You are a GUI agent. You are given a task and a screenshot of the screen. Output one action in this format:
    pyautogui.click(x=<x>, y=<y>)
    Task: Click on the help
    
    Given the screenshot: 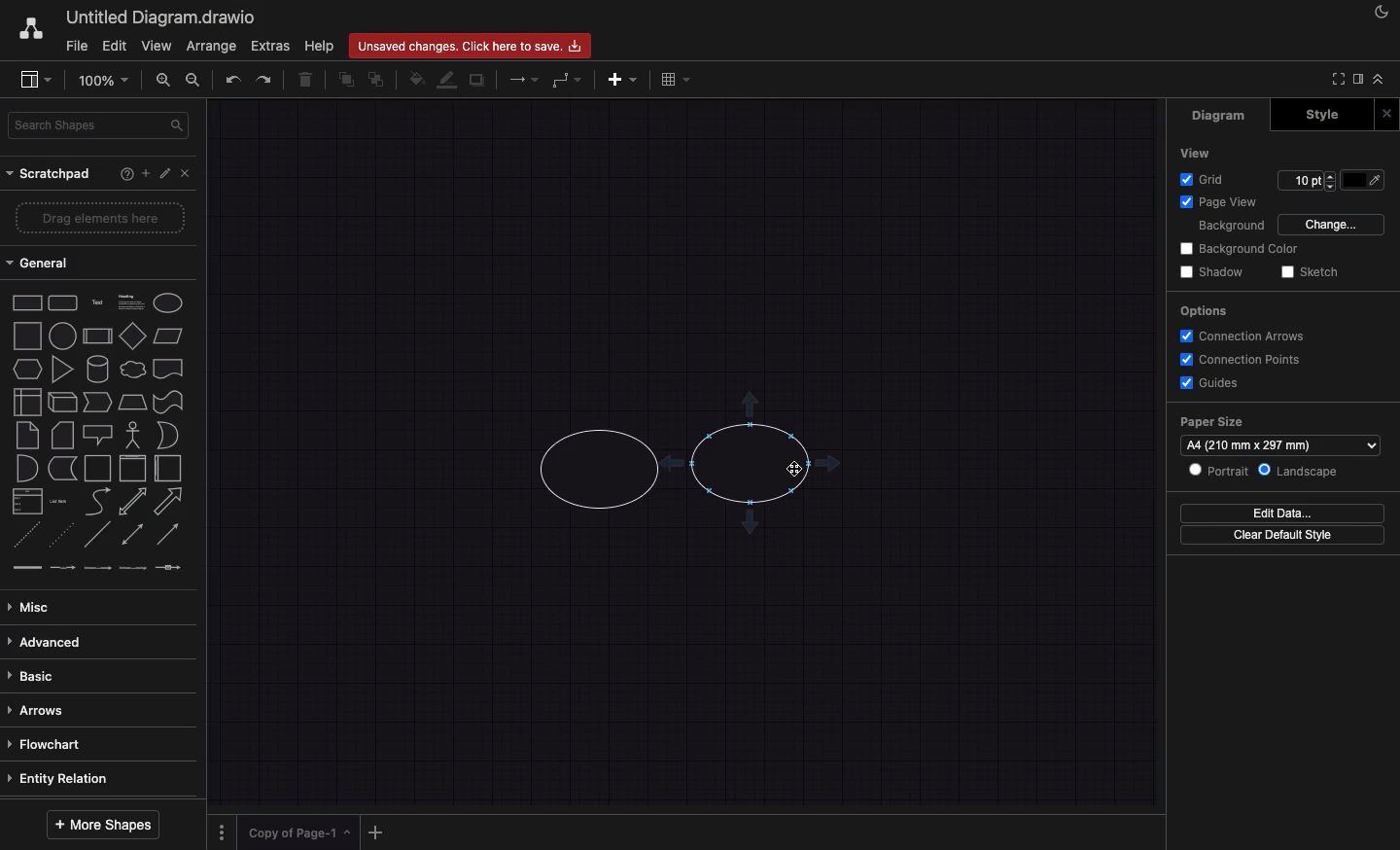 What is the action you would take?
    pyautogui.click(x=126, y=173)
    